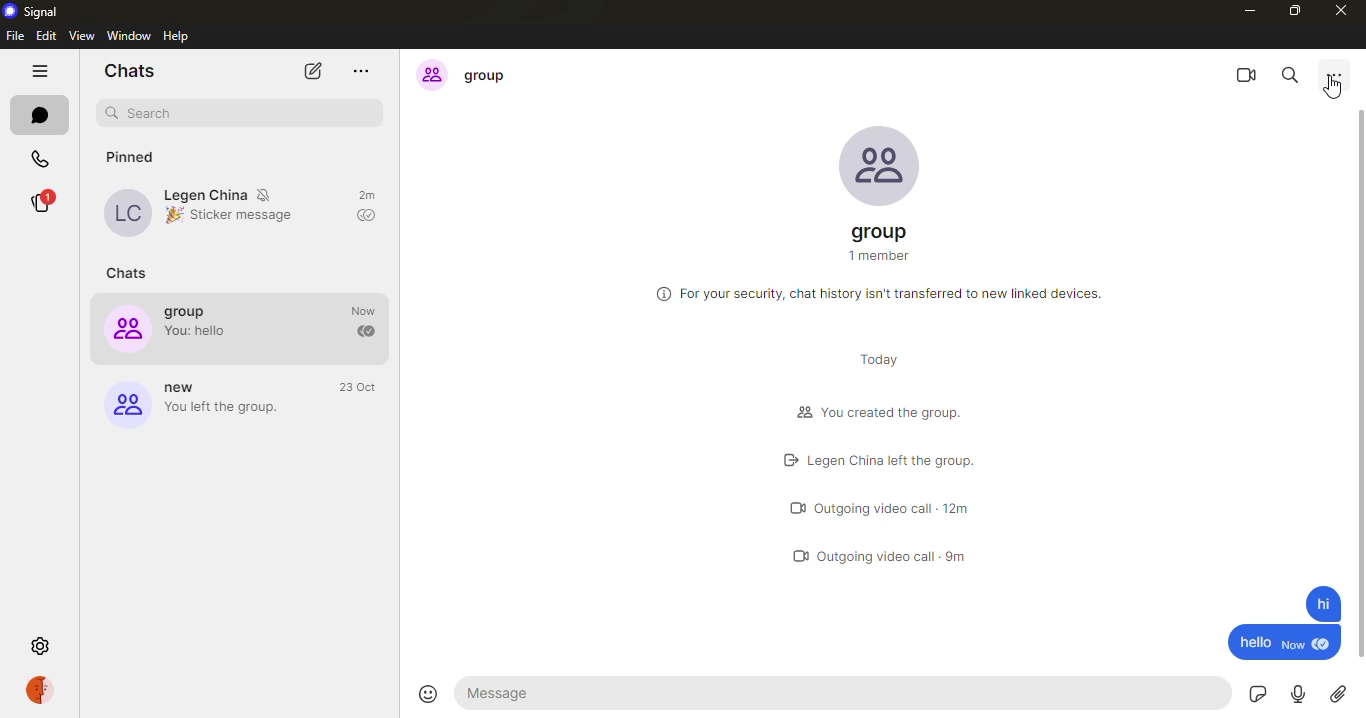 Image resolution: width=1366 pixels, height=718 pixels. Describe the element at coordinates (429, 74) in the screenshot. I see `profile icon` at that location.